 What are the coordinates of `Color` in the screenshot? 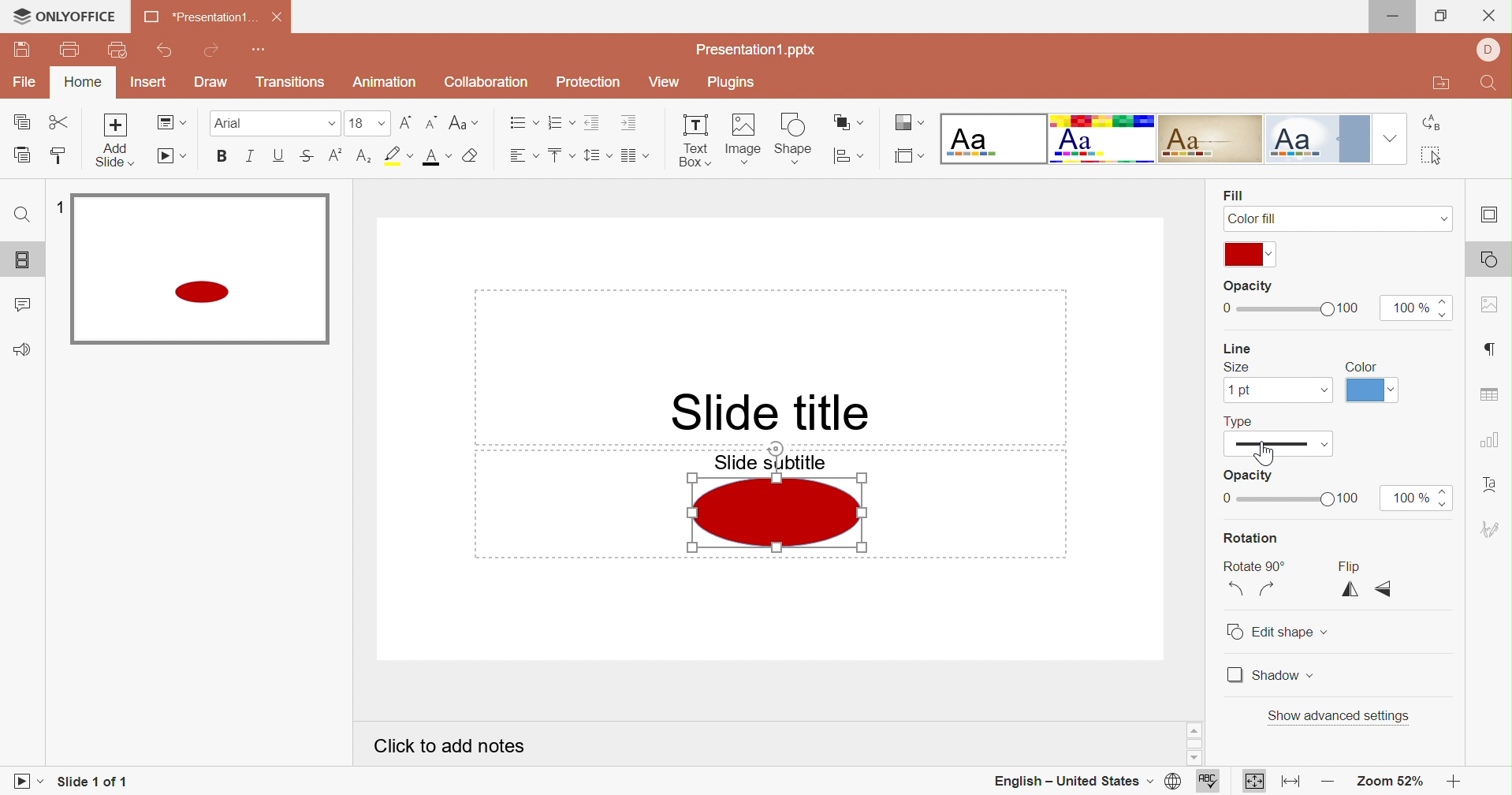 It's located at (1363, 364).